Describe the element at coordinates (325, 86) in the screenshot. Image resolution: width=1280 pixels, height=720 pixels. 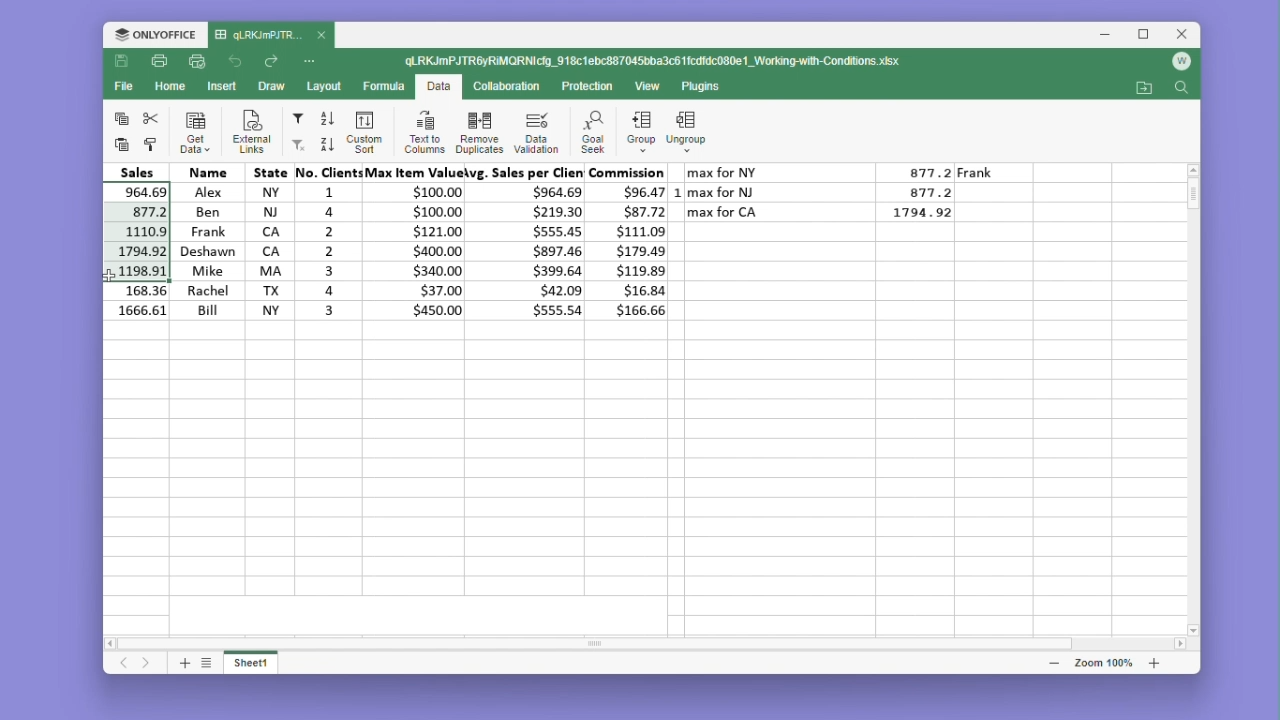
I see `Layout` at that location.